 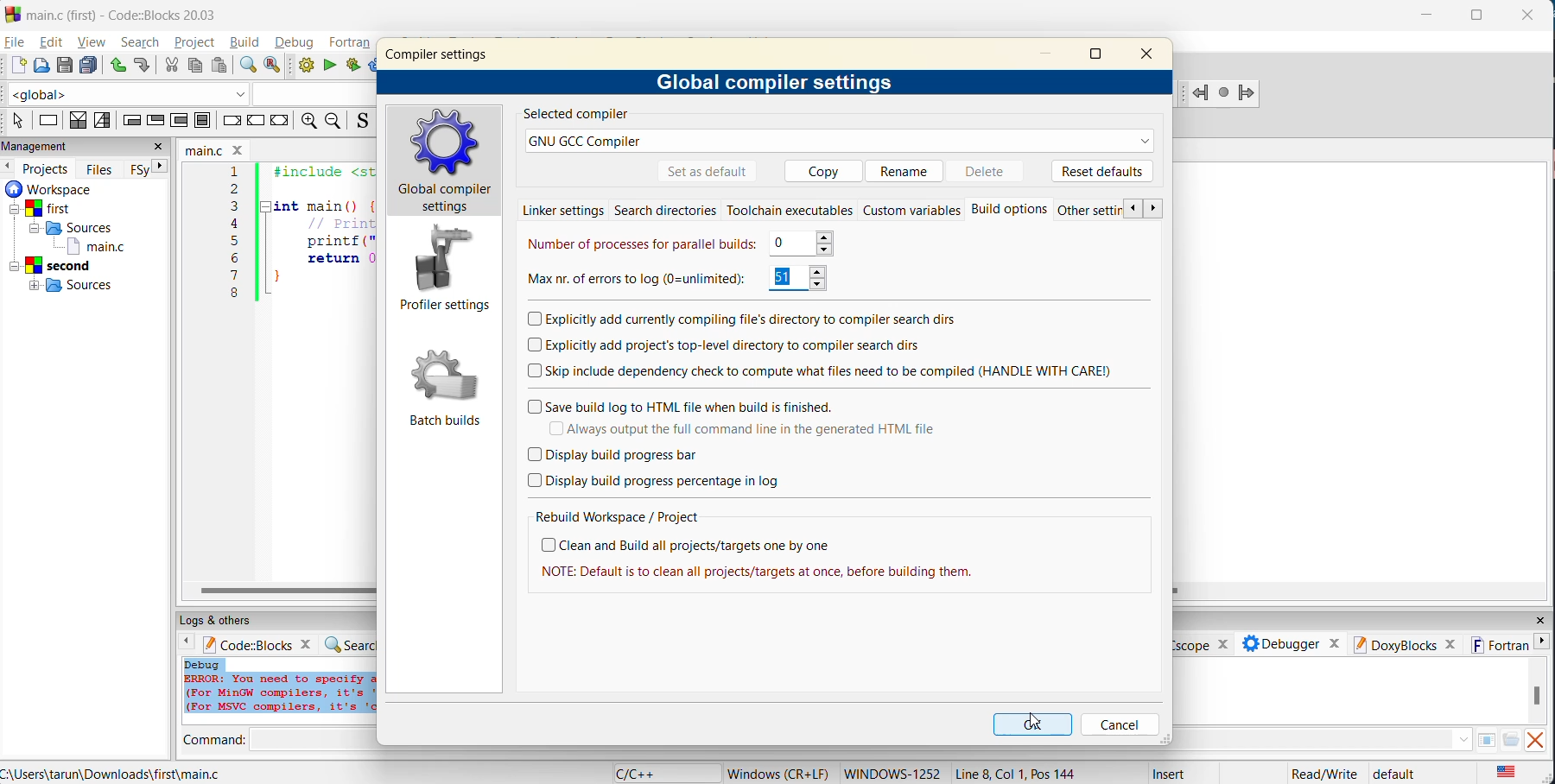 I want to click on Batch builds, so click(x=444, y=378).